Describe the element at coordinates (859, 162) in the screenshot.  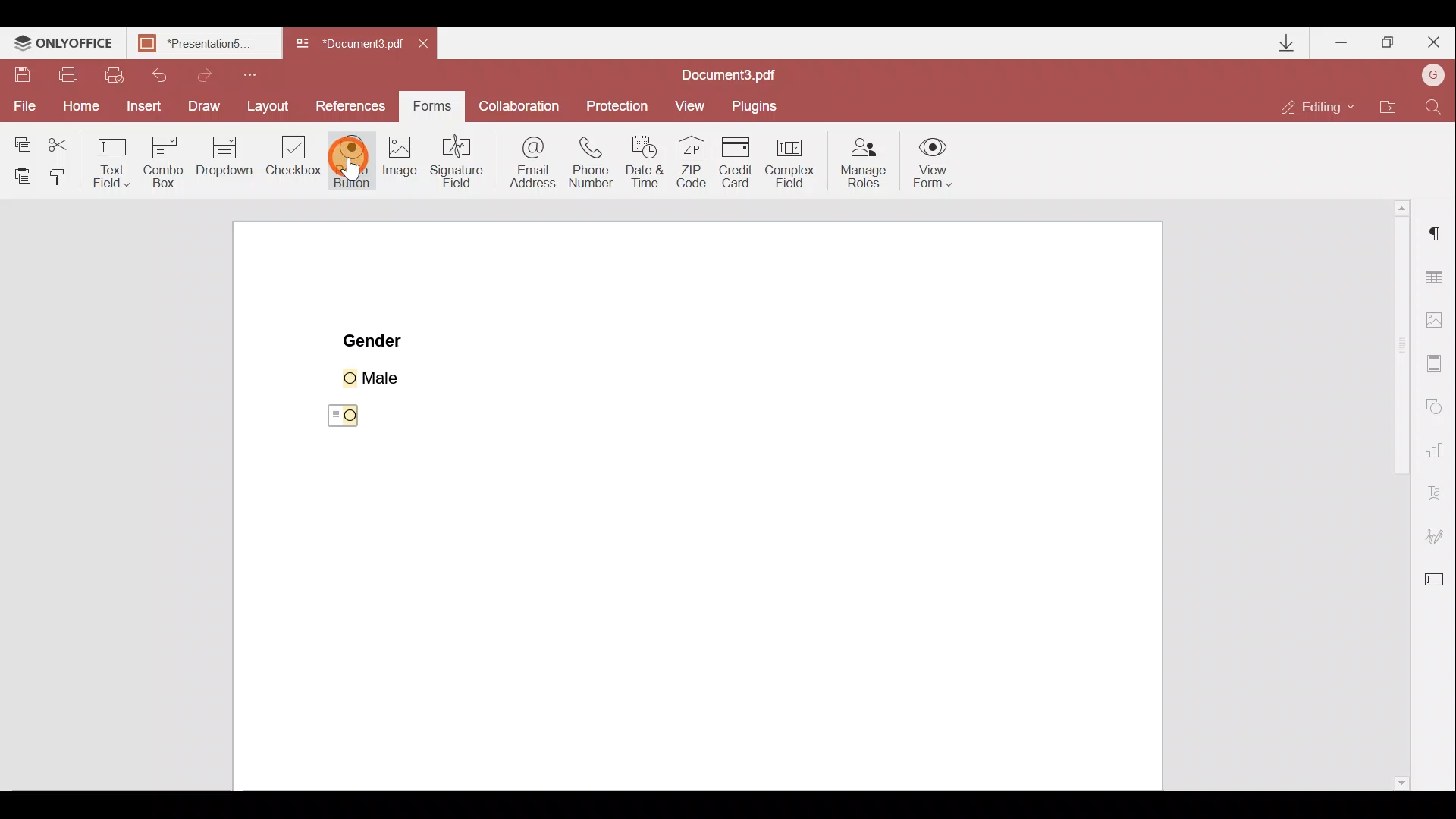
I see `Manage roles` at that location.